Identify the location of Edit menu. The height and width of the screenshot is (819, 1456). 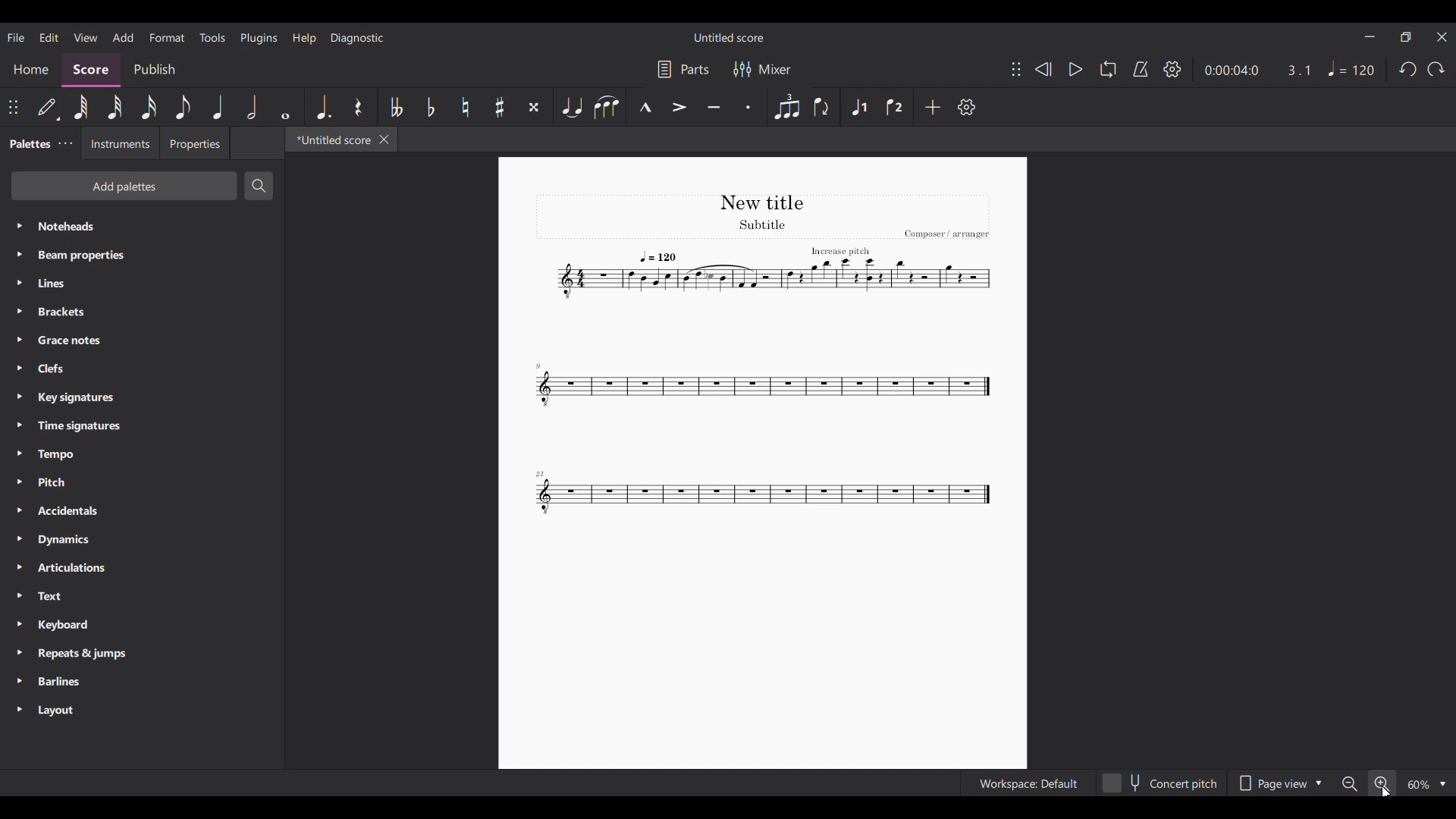
(49, 38).